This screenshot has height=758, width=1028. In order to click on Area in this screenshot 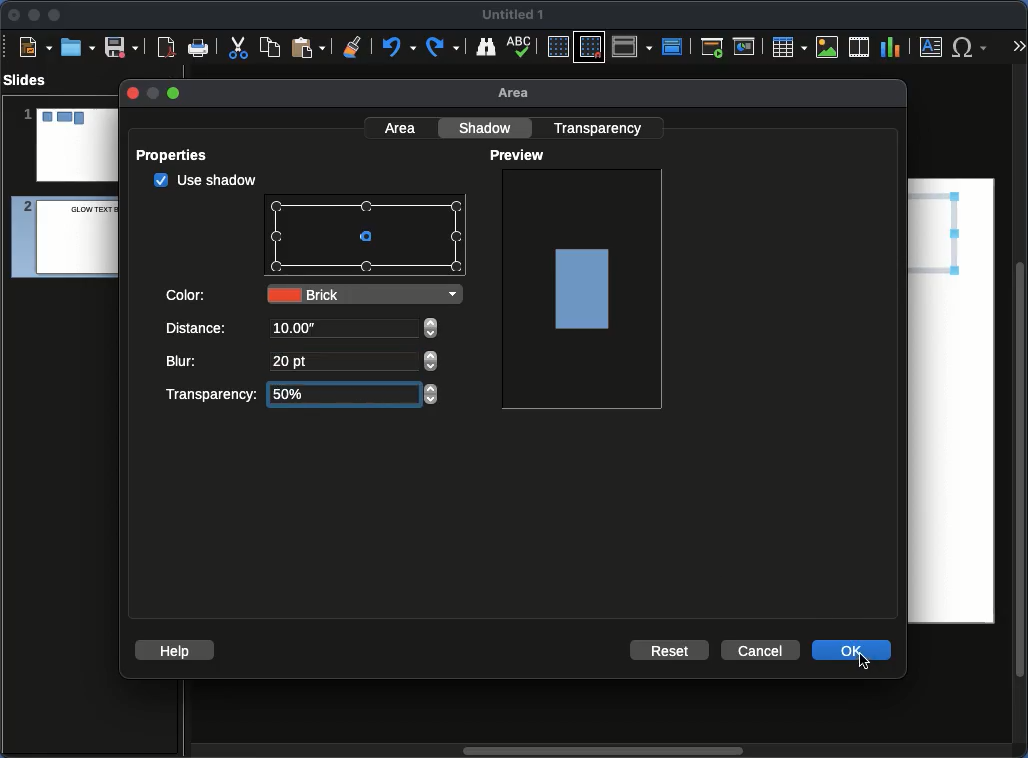, I will do `click(519, 94)`.